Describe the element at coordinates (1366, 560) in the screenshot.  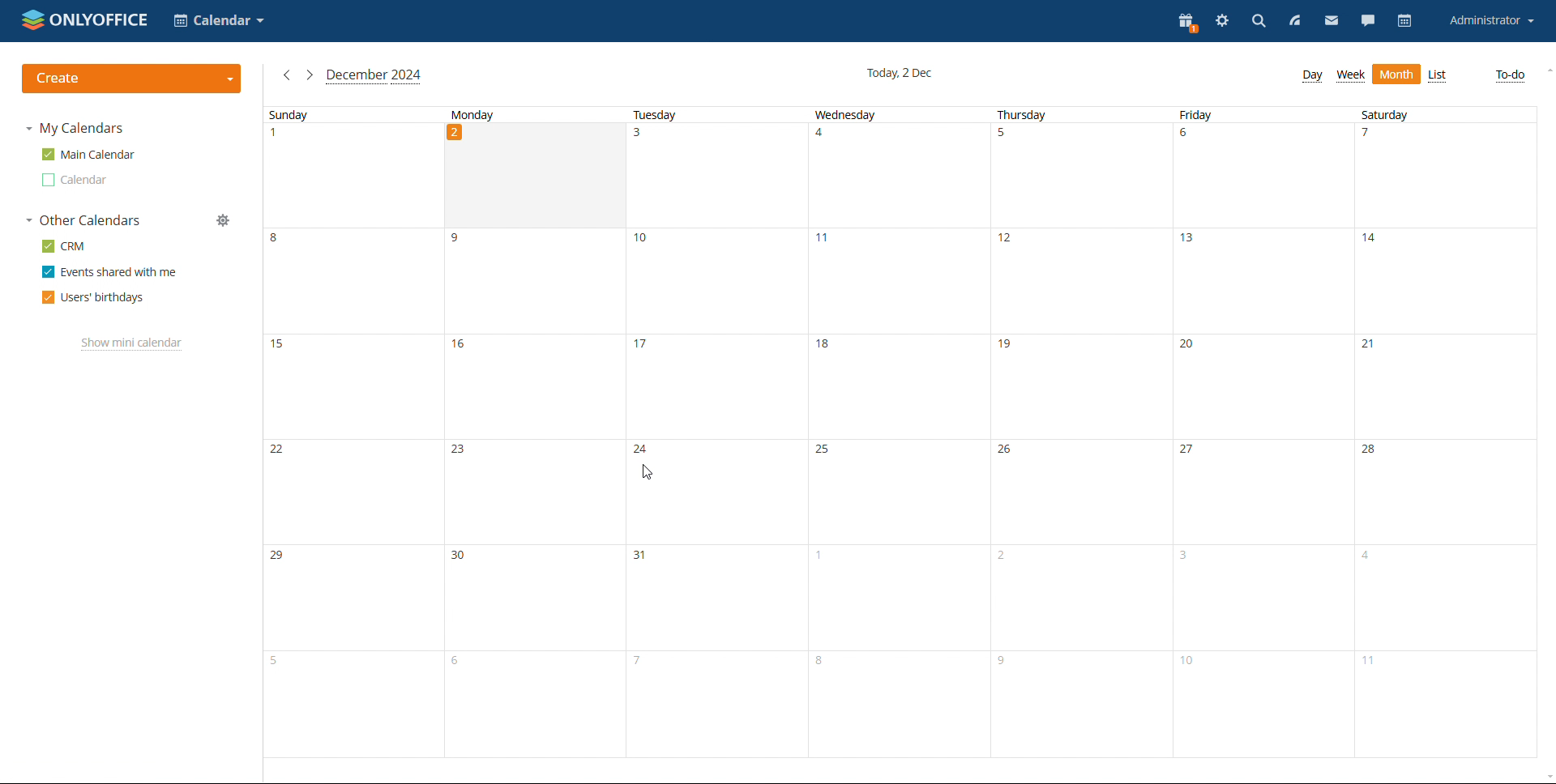
I see `4` at that location.